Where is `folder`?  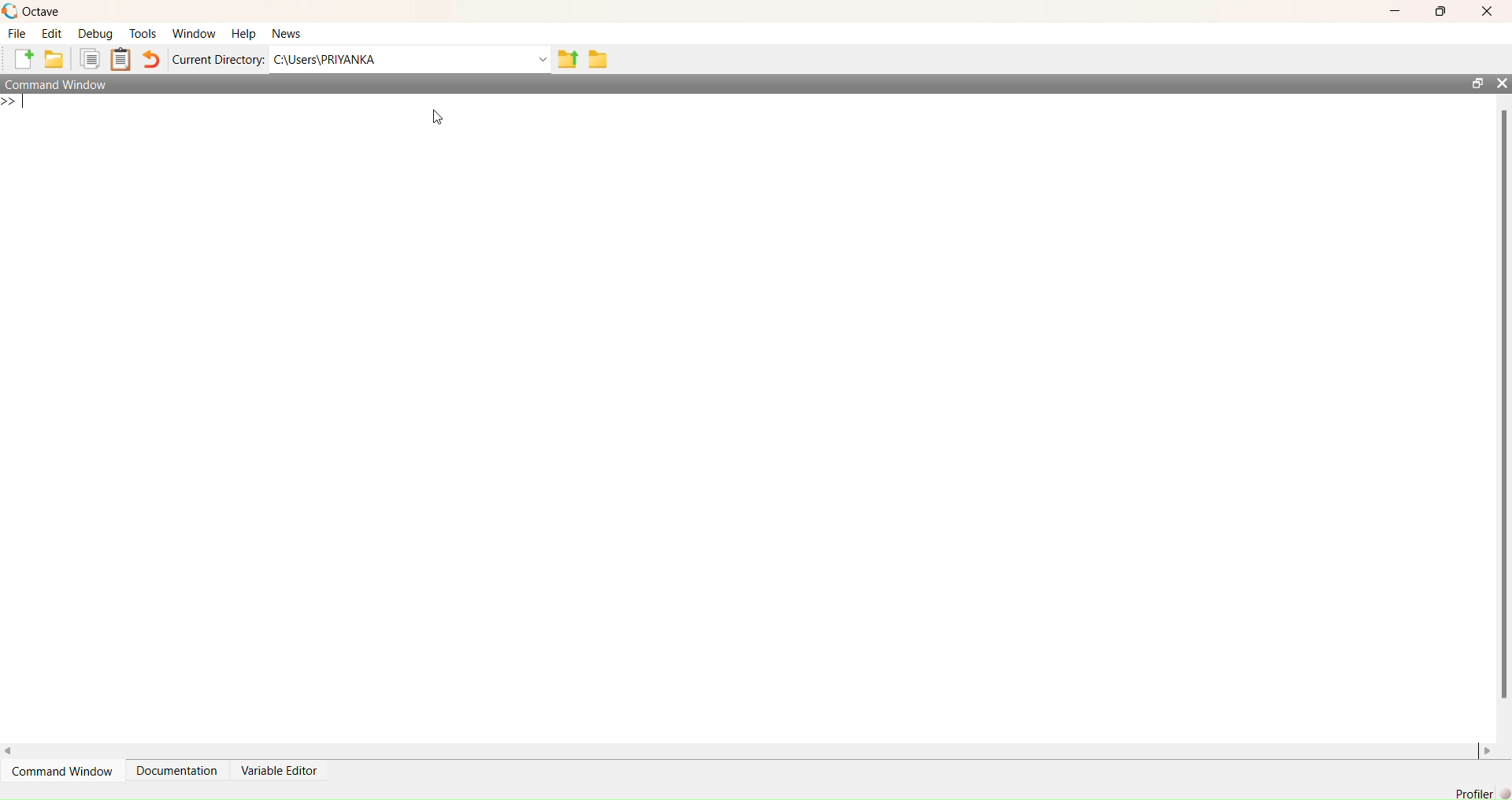 folder is located at coordinates (599, 59).